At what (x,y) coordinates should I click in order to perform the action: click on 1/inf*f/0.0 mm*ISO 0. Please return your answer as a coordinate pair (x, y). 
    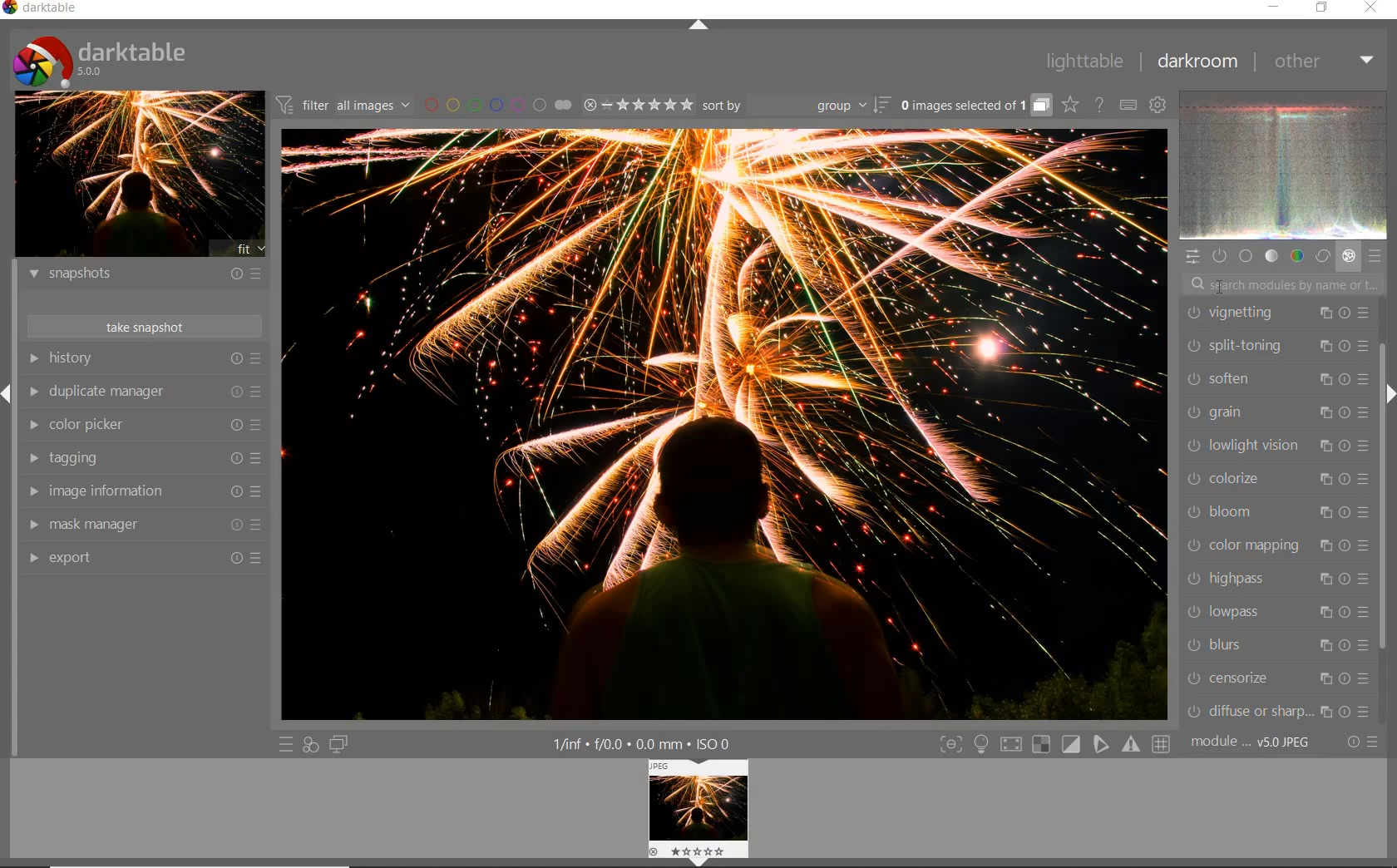
    Looking at the image, I should click on (653, 744).